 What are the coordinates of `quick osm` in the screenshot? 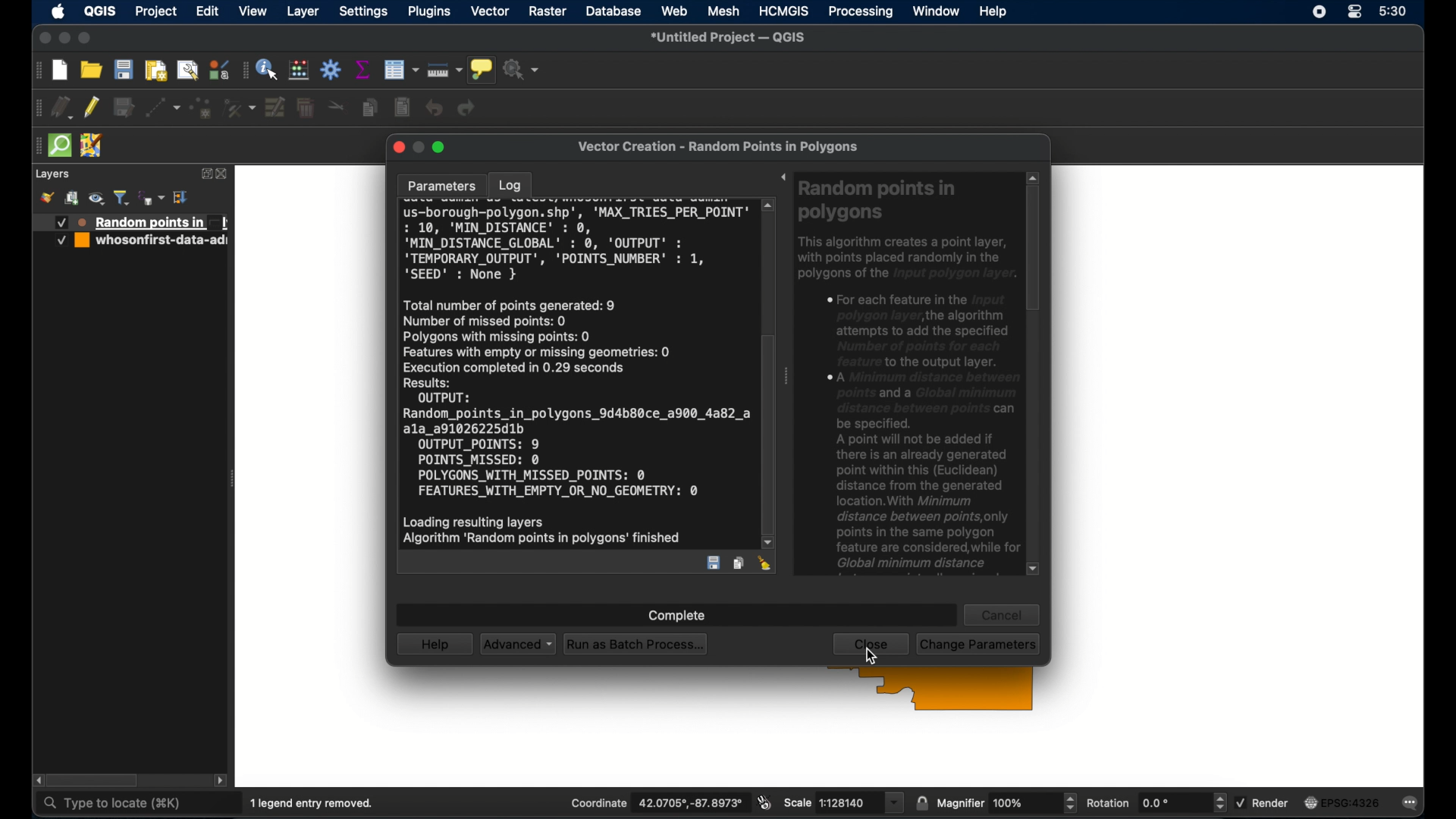 It's located at (59, 144).